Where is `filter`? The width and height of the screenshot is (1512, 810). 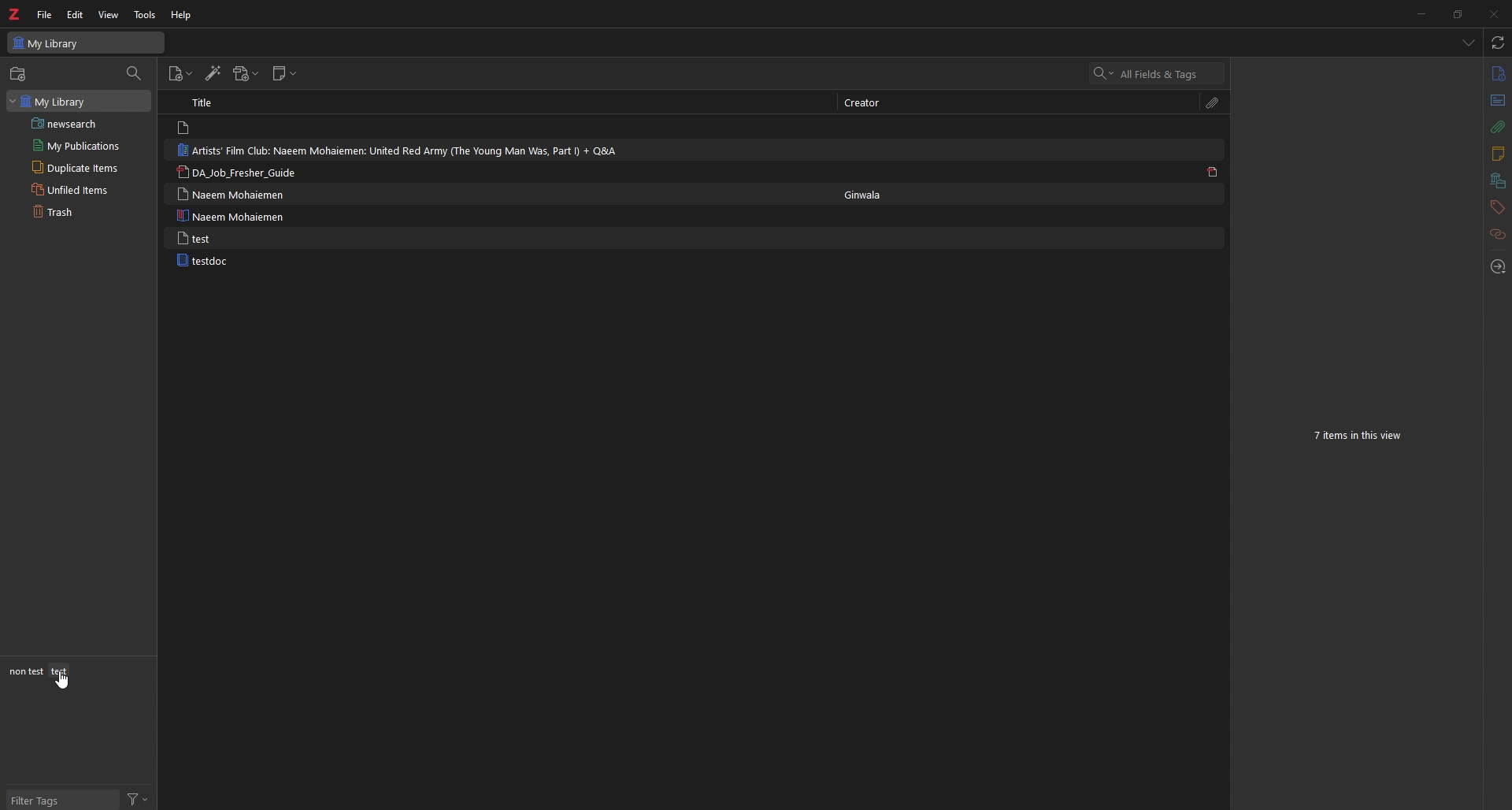 filter is located at coordinates (139, 799).